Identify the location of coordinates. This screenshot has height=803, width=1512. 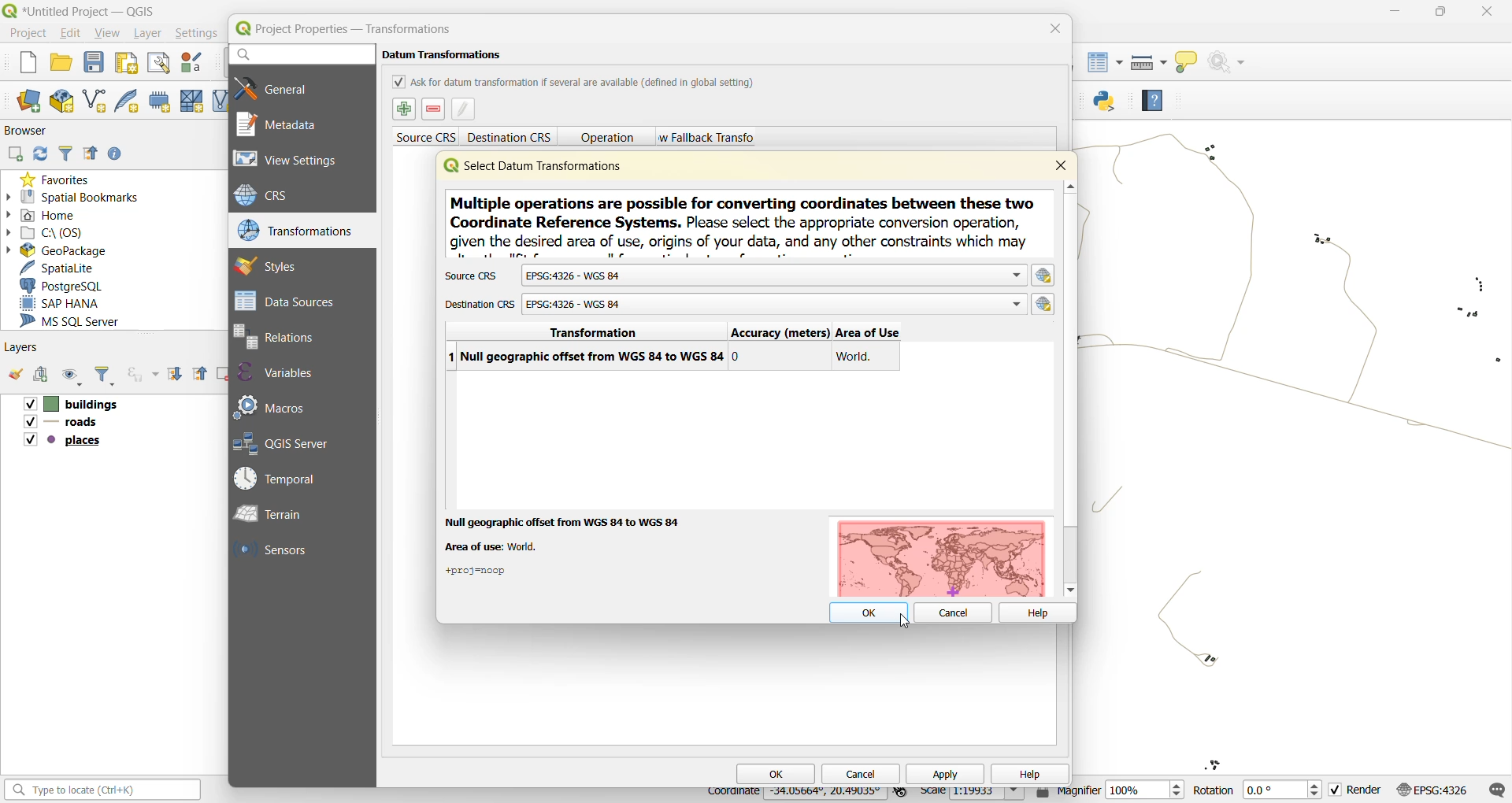
(795, 796).